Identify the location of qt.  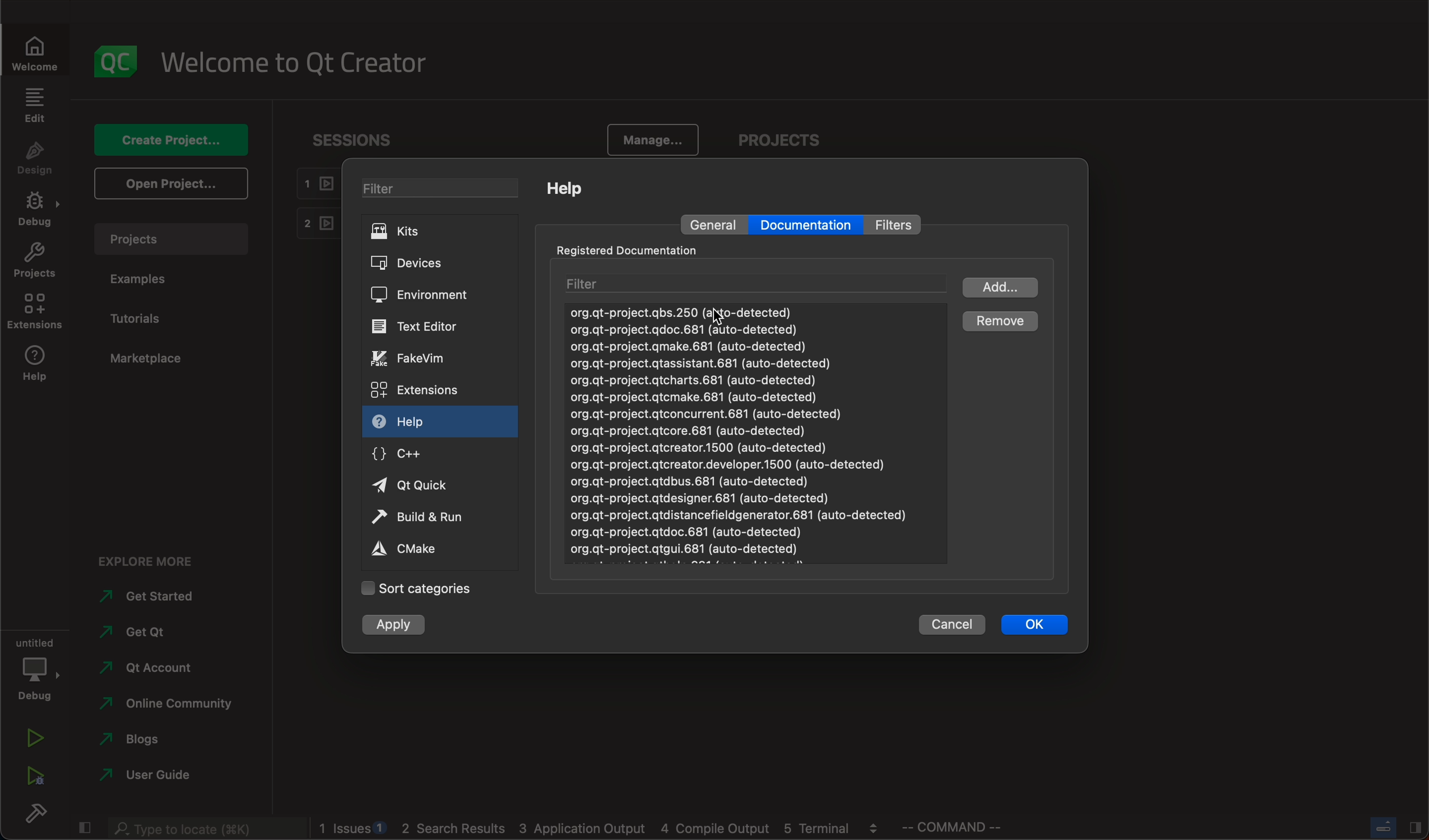
(423, 486).